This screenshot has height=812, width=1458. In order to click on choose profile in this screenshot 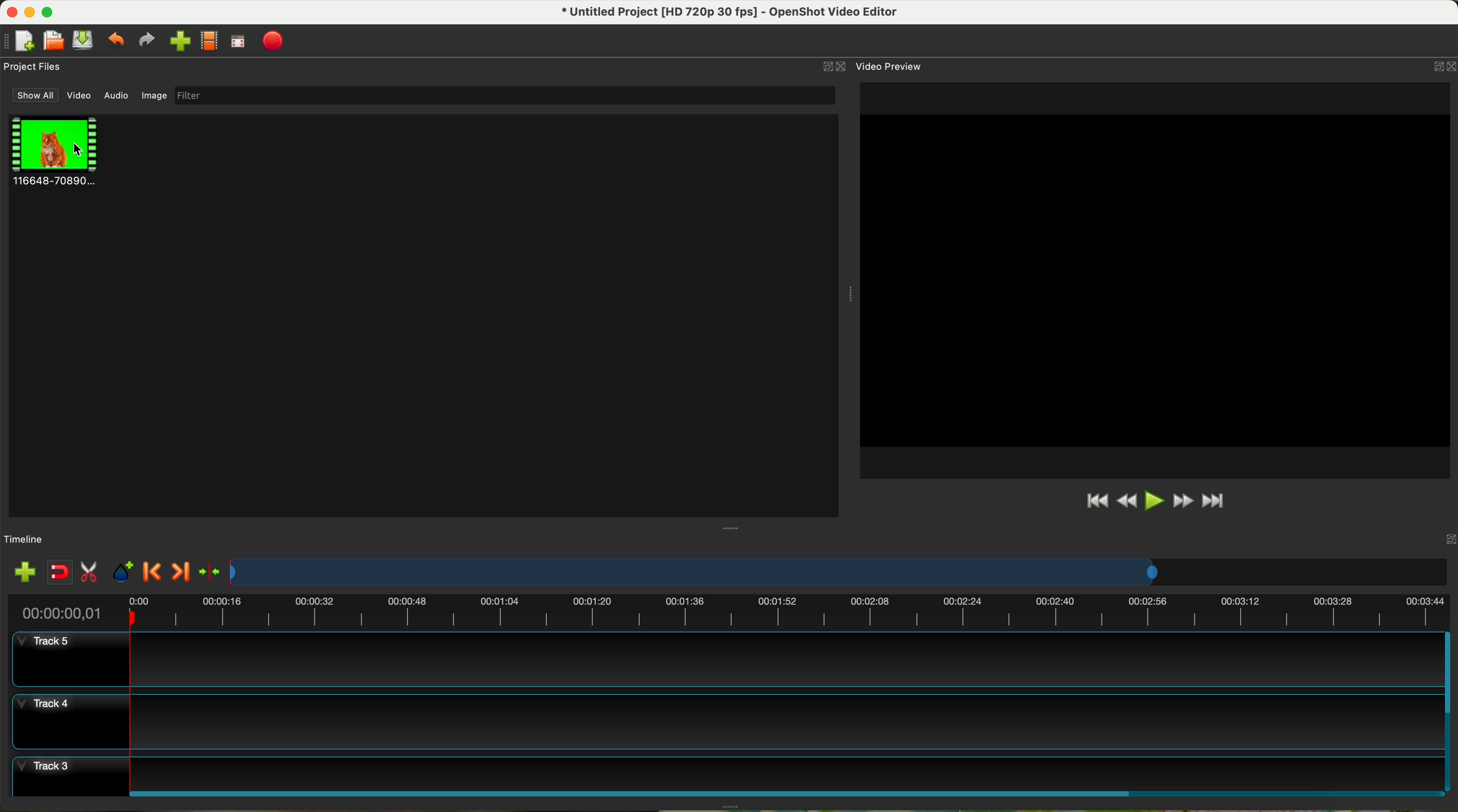, I will do `click(209, 41)`.